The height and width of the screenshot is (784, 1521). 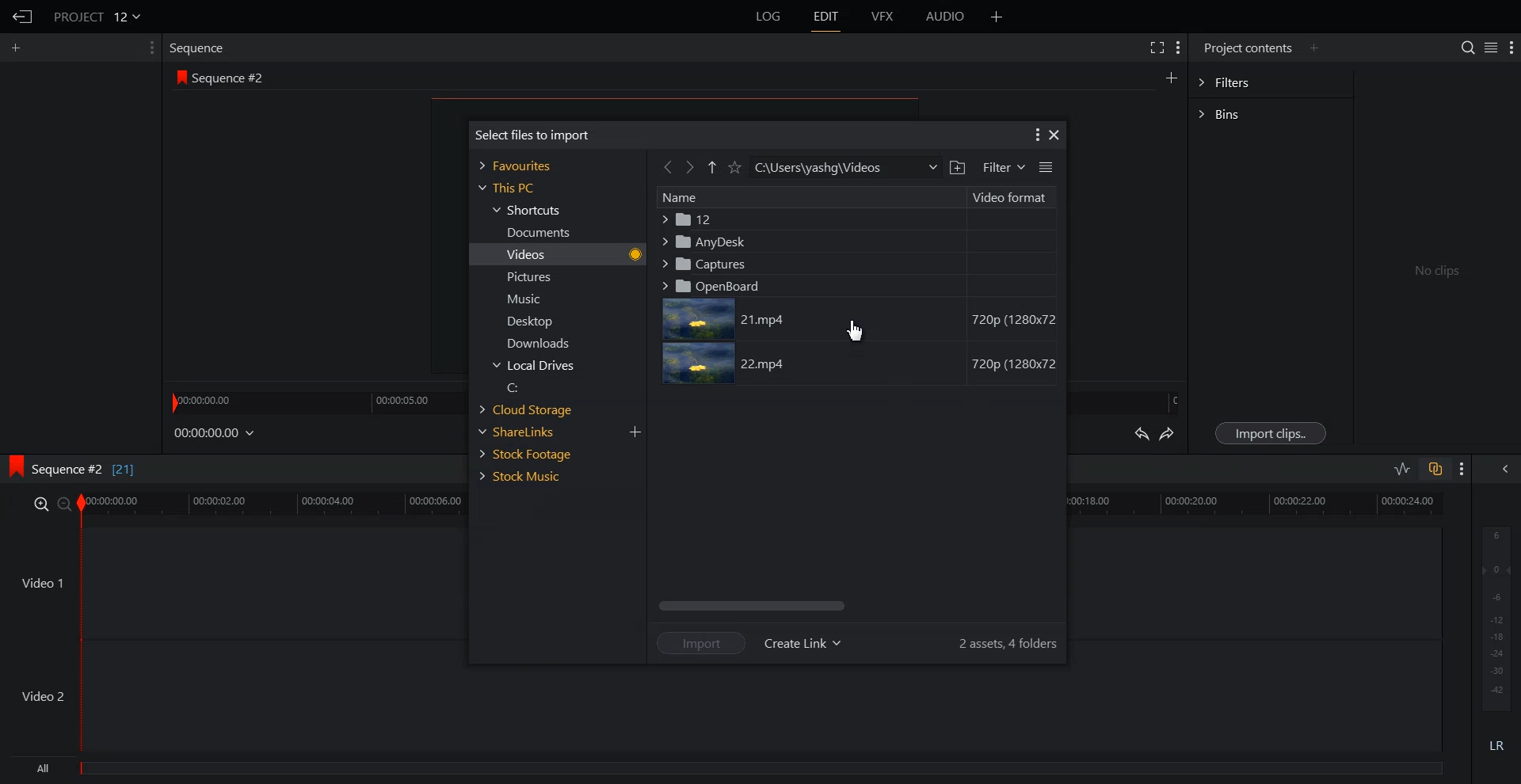 What do you see at coordinates (535, 232) in the screenshot?
I see `Documents` at bounding box center [535, 232].